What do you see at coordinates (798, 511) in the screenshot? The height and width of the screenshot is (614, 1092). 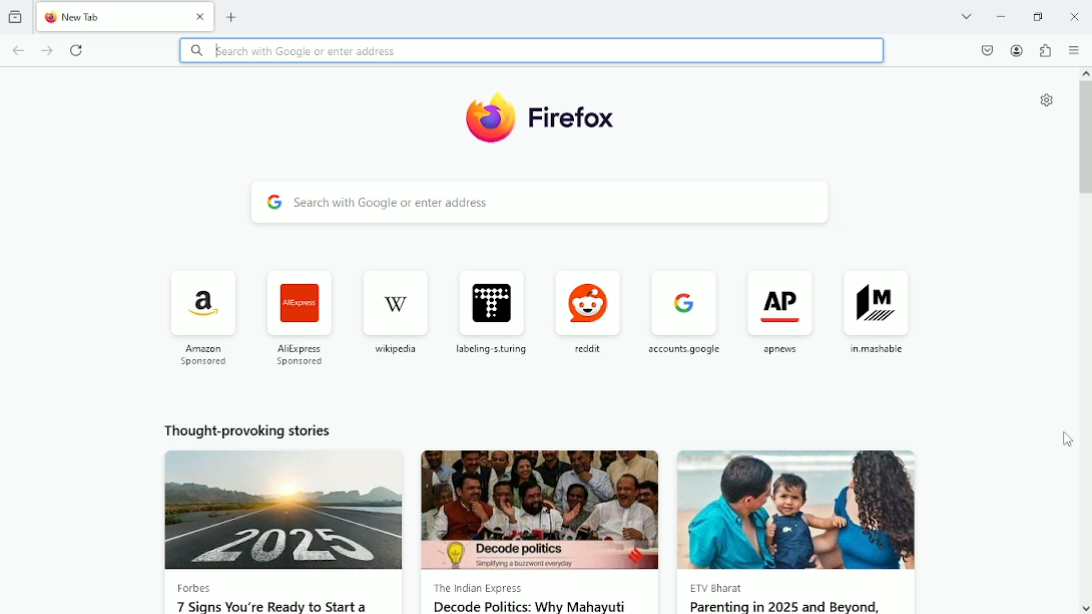 I see `image` at bounding box center [798, 511].